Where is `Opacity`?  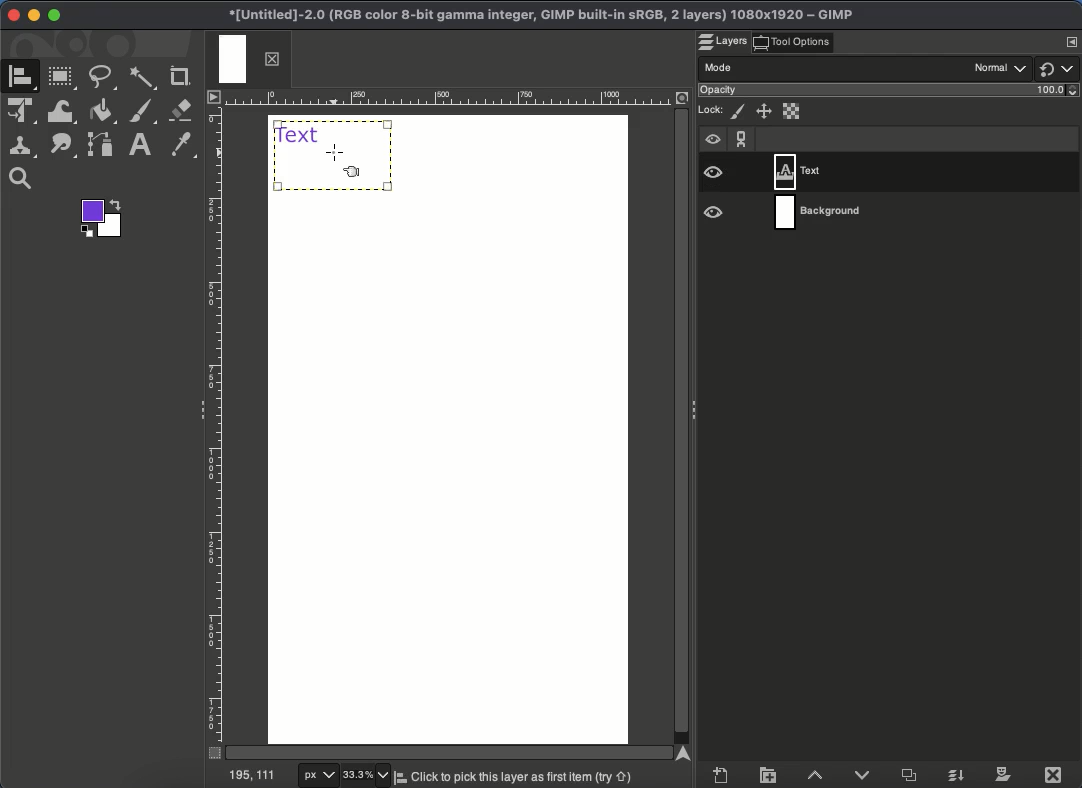
Opacity is located at coordinates (891, 90).